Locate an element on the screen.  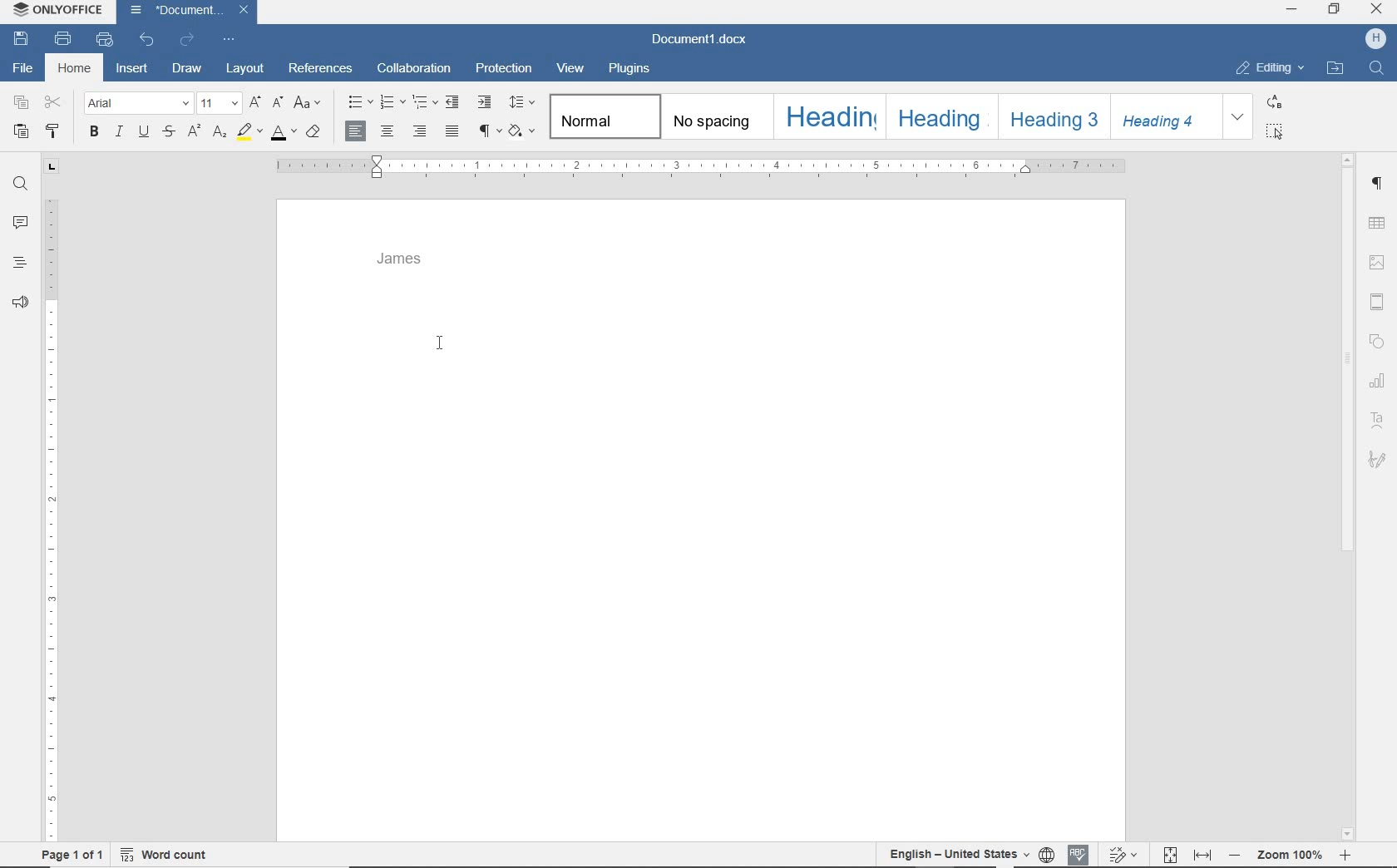
paste is located at coordinates (22, 131).